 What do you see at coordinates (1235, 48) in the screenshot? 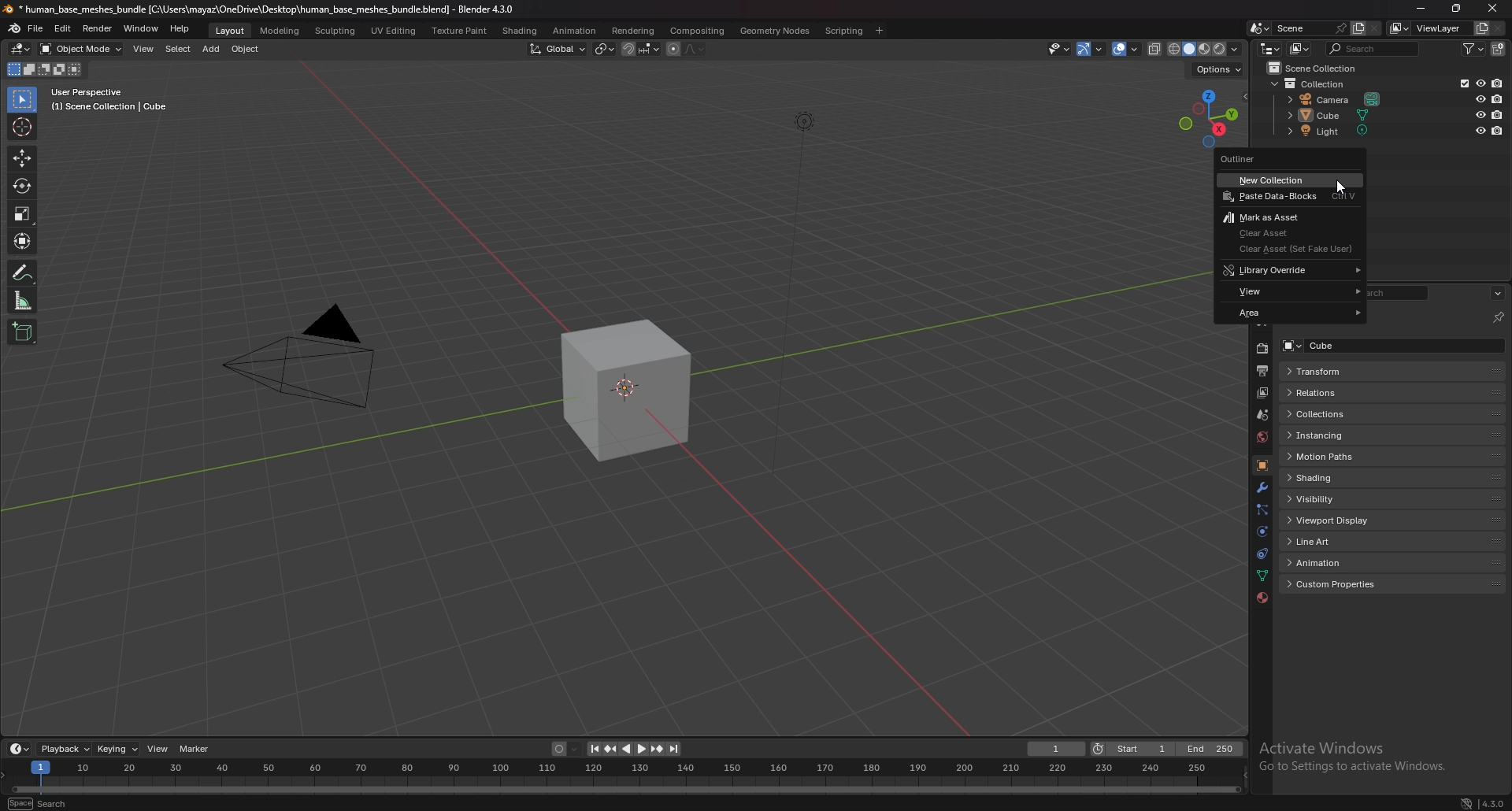
I see `shading` at bounding box center [1235, 48].